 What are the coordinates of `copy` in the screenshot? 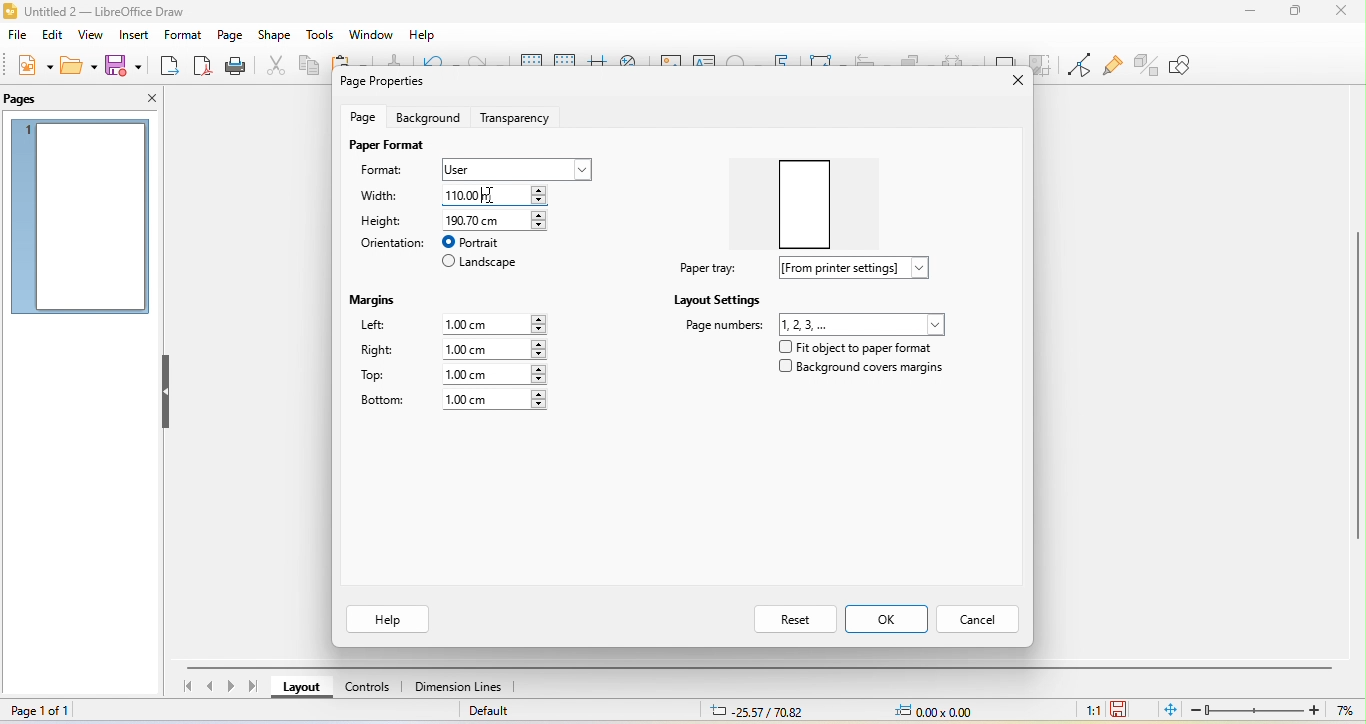 It's located at (308, 68).